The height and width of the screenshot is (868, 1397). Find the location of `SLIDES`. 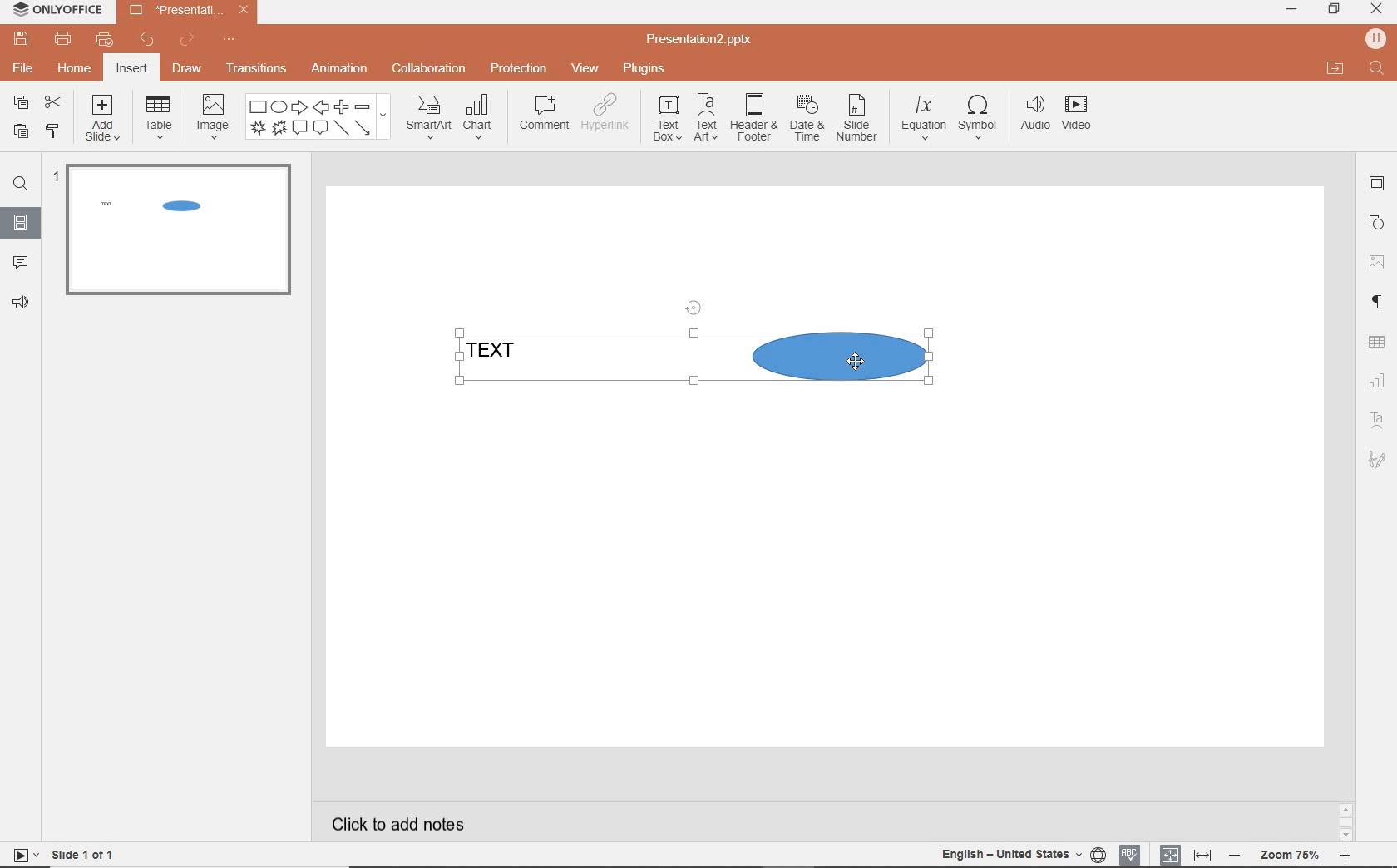

SLIDES is located at coordinates (22, 221).